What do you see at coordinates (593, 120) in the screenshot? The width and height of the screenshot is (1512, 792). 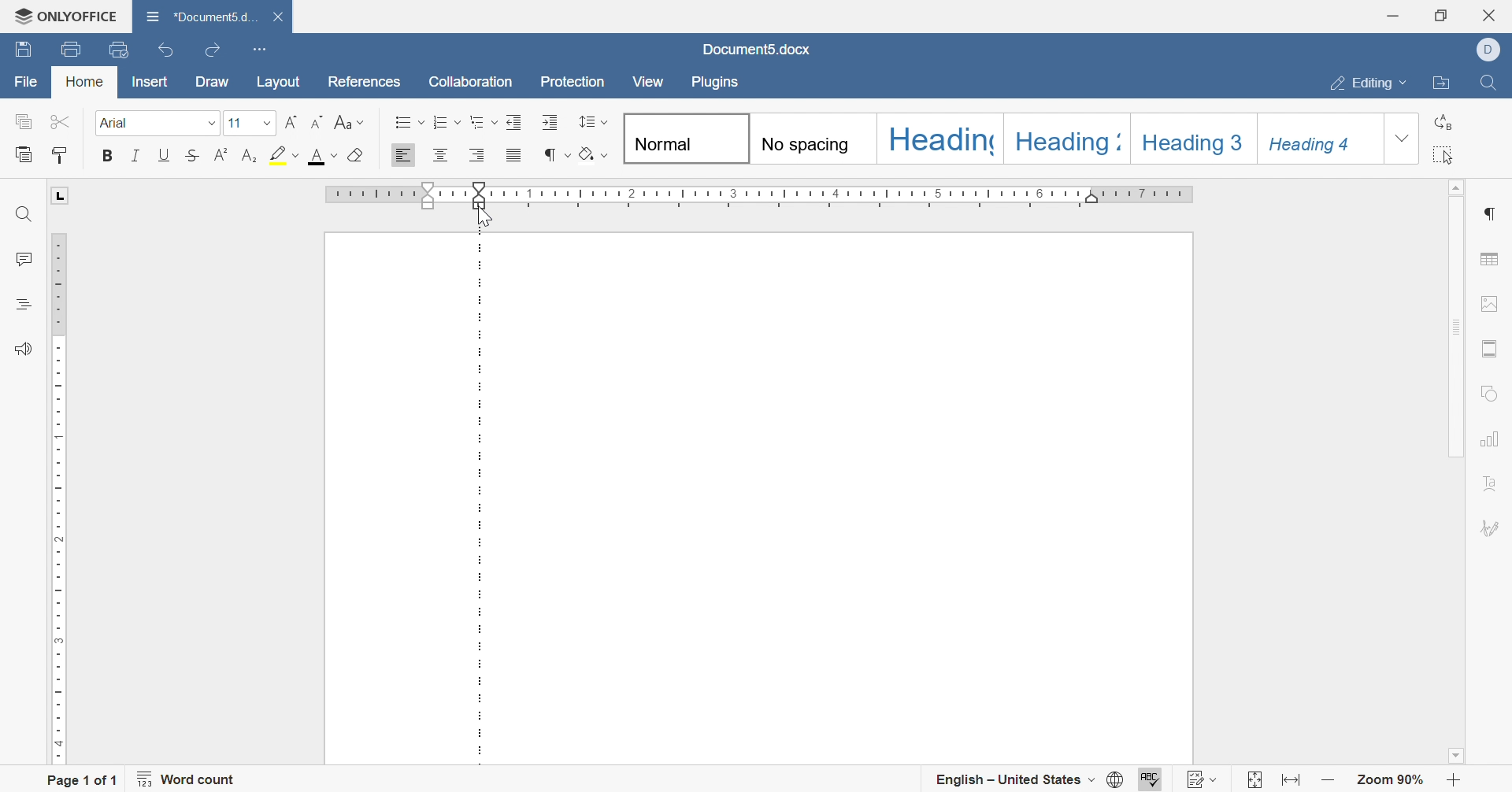 I see `line spacing` at bounding box center [593, 120].